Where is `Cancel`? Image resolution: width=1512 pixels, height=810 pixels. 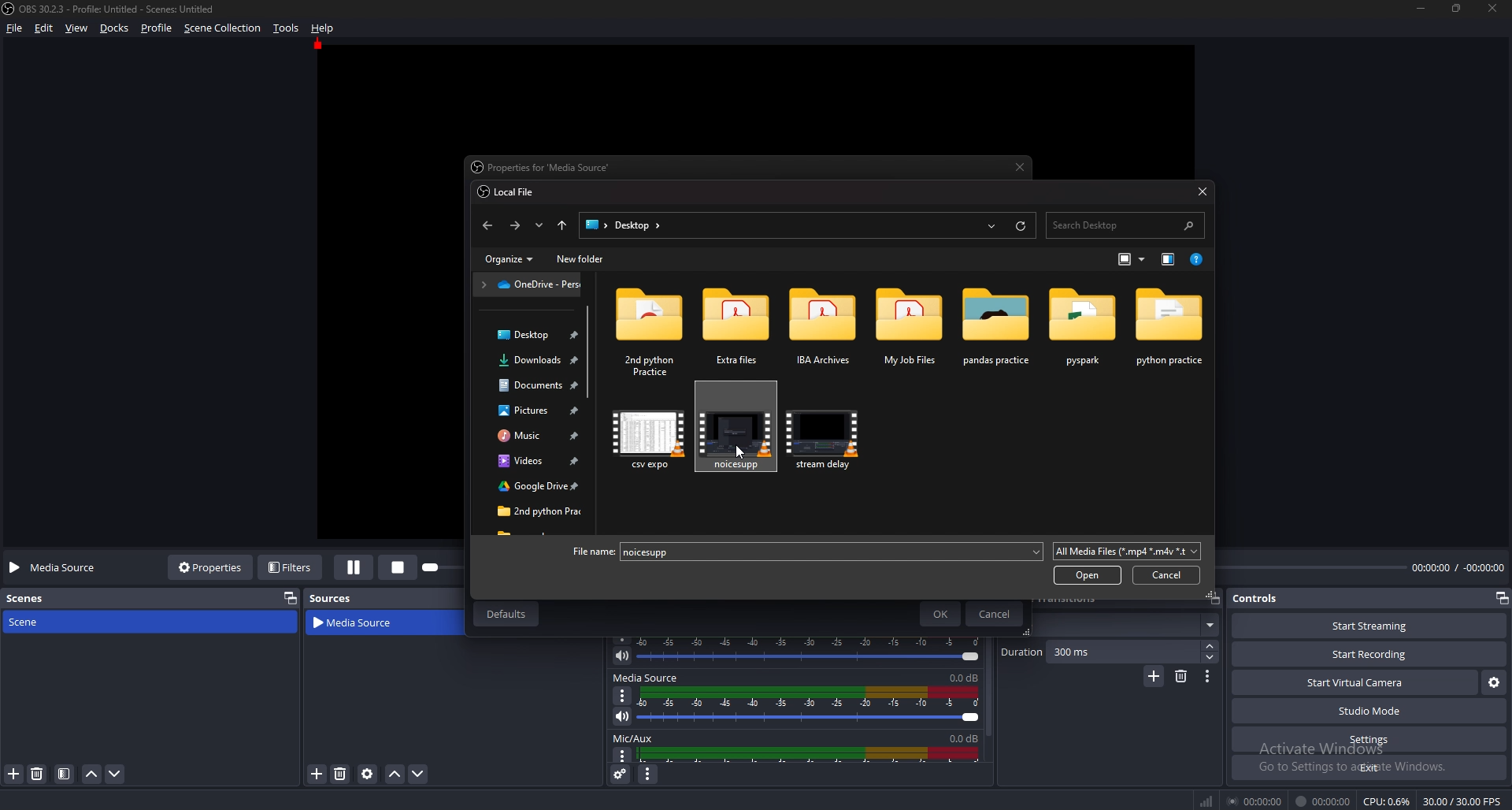
Cancel is located at coordinates (1167, 575).